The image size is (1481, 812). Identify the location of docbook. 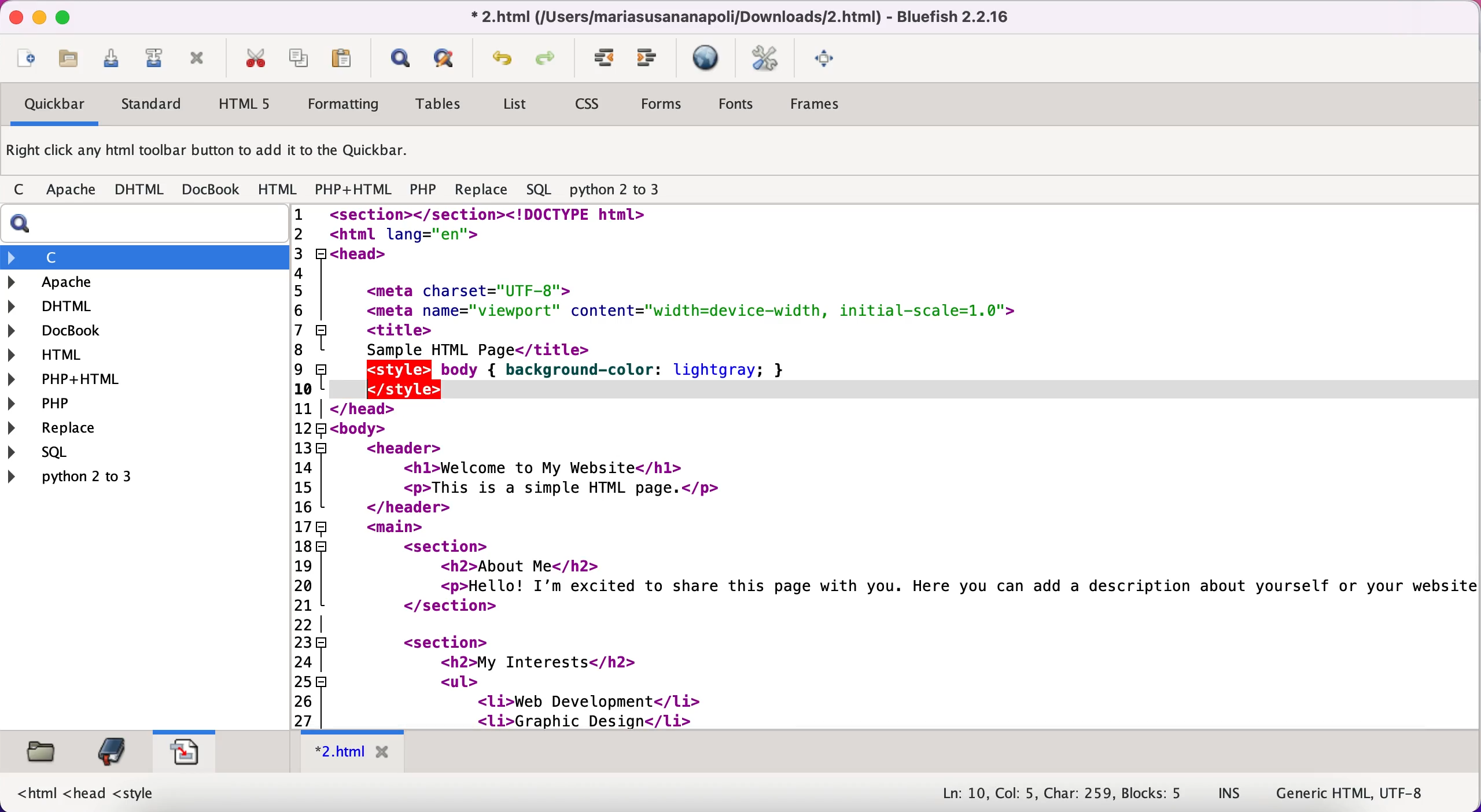
(212, 189).